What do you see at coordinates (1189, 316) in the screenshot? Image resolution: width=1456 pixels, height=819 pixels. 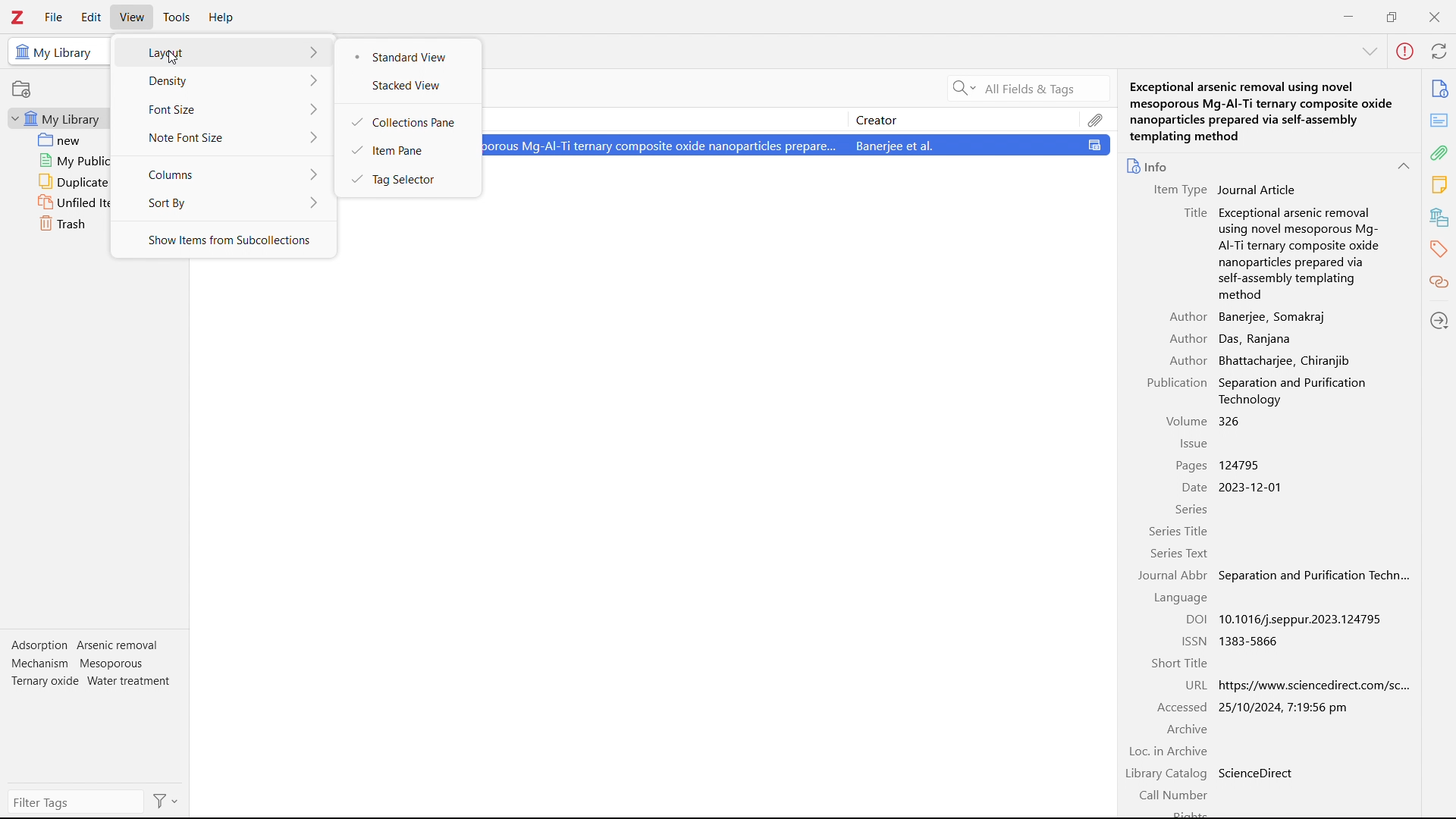 I see `Author` at bounding box center [1189, 316].